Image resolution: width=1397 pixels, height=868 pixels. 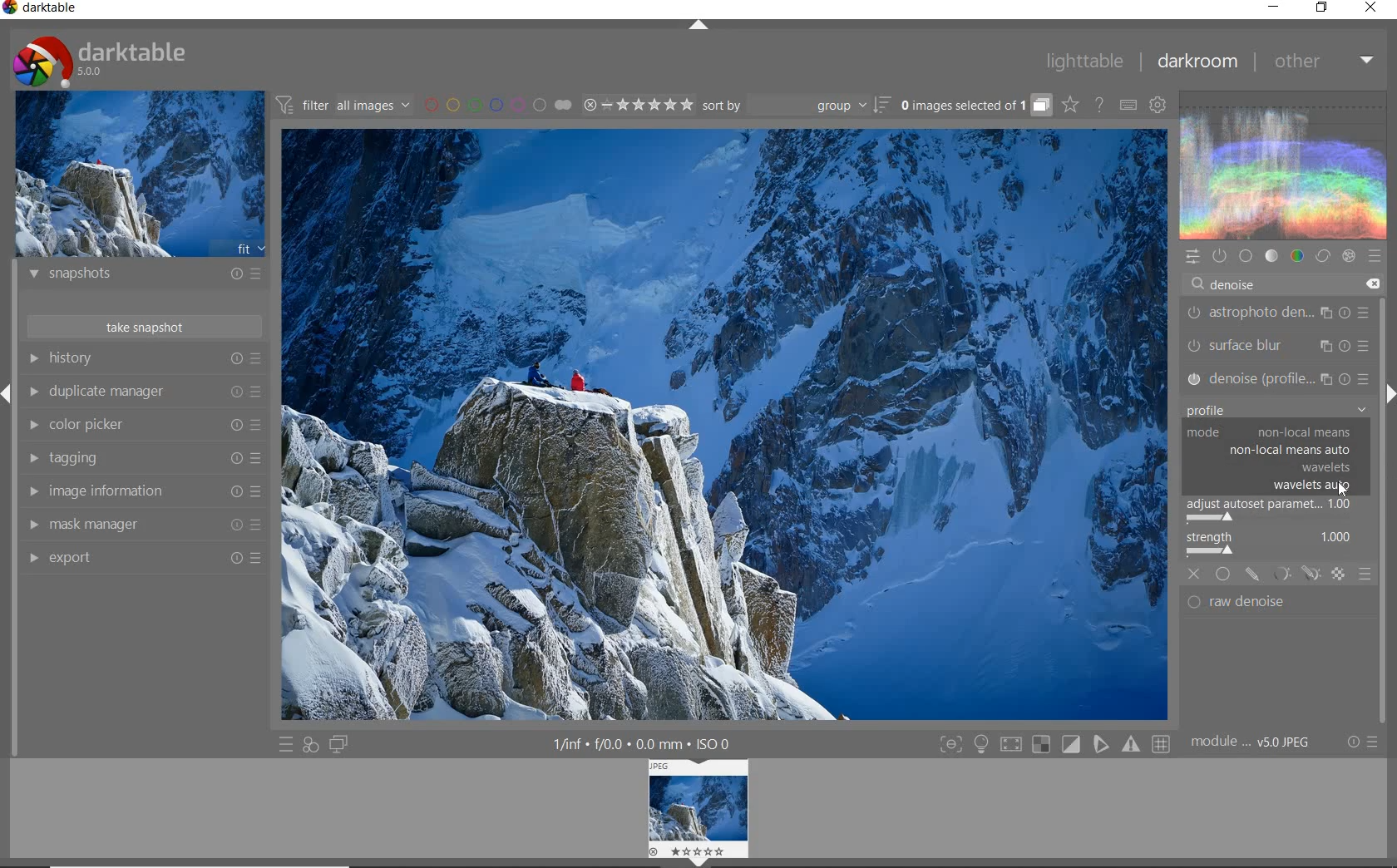 What do you see at coordinates (1375, 253) in the screenshot?
I see `presets` at bounding box center [1375, 253].